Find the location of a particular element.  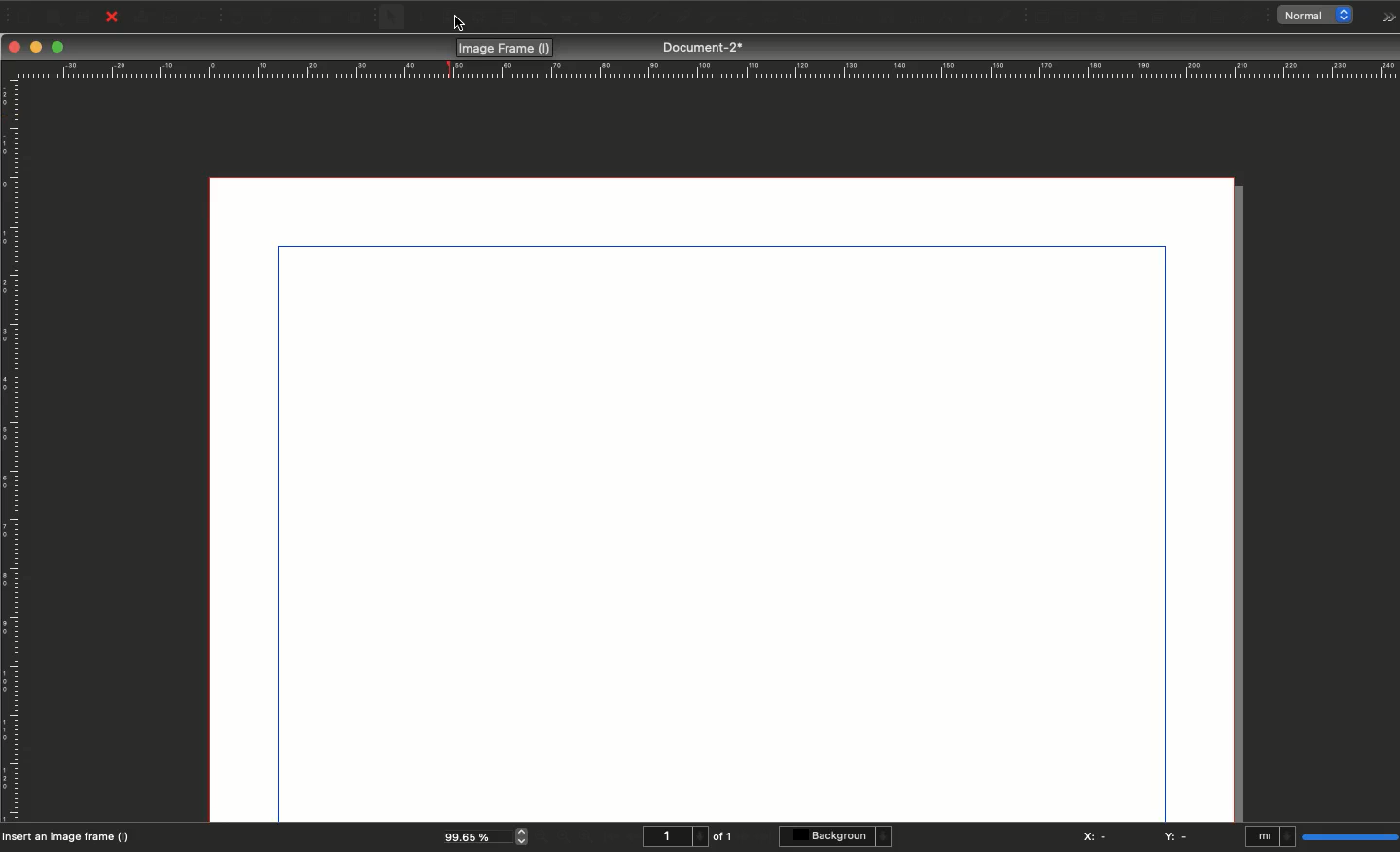

Arc is located at coordinates (595, 18).